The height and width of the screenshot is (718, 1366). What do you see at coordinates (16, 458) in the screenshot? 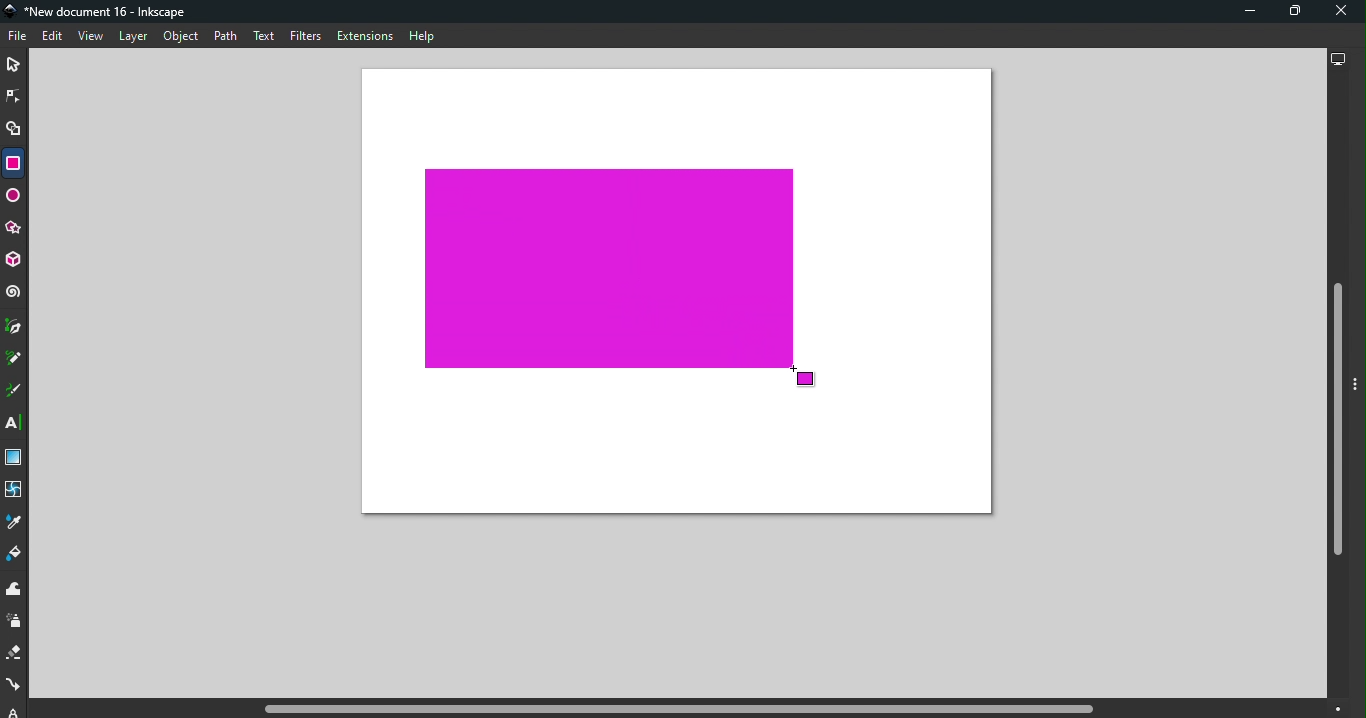
I see `Gradient tool` at bounding box center [16, 458].